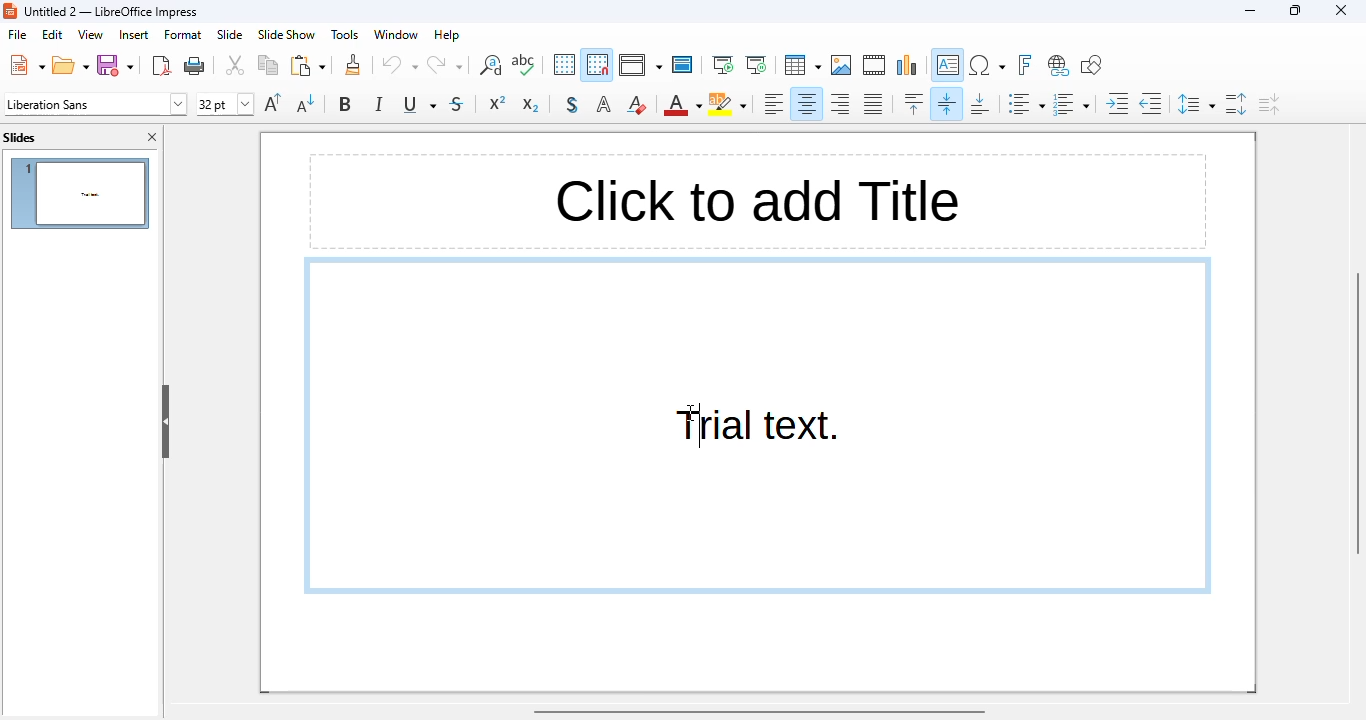 Image resolution: width=1366 pixels, height=720 pixels. Describe the element at coordinates (115, 12) in the screenshot. I see `Untitled 2 — LibreOffice Impress` at that location.